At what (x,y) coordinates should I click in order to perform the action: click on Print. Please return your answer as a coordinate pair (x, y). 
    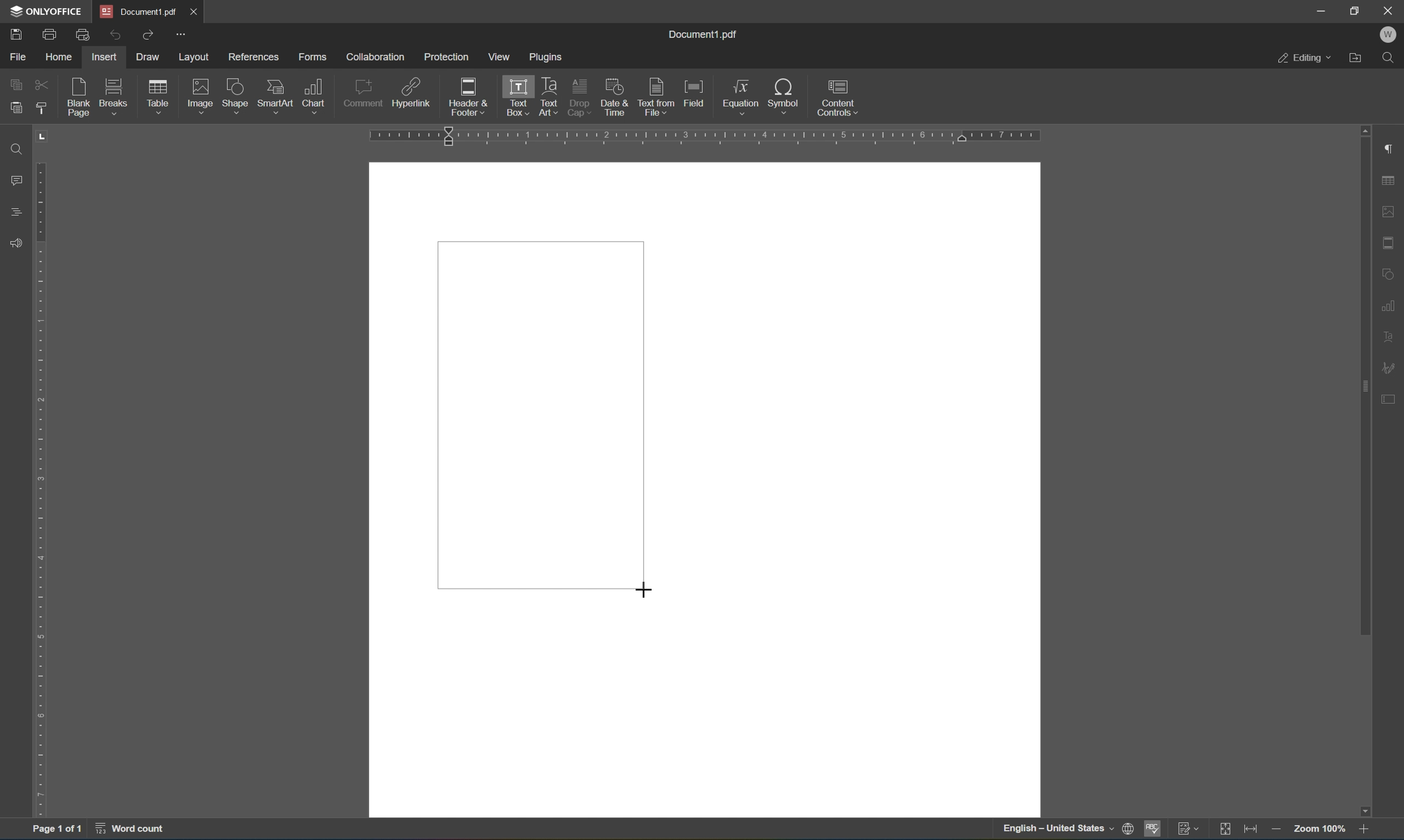
    Looking at the image, I should click on (50, 35).